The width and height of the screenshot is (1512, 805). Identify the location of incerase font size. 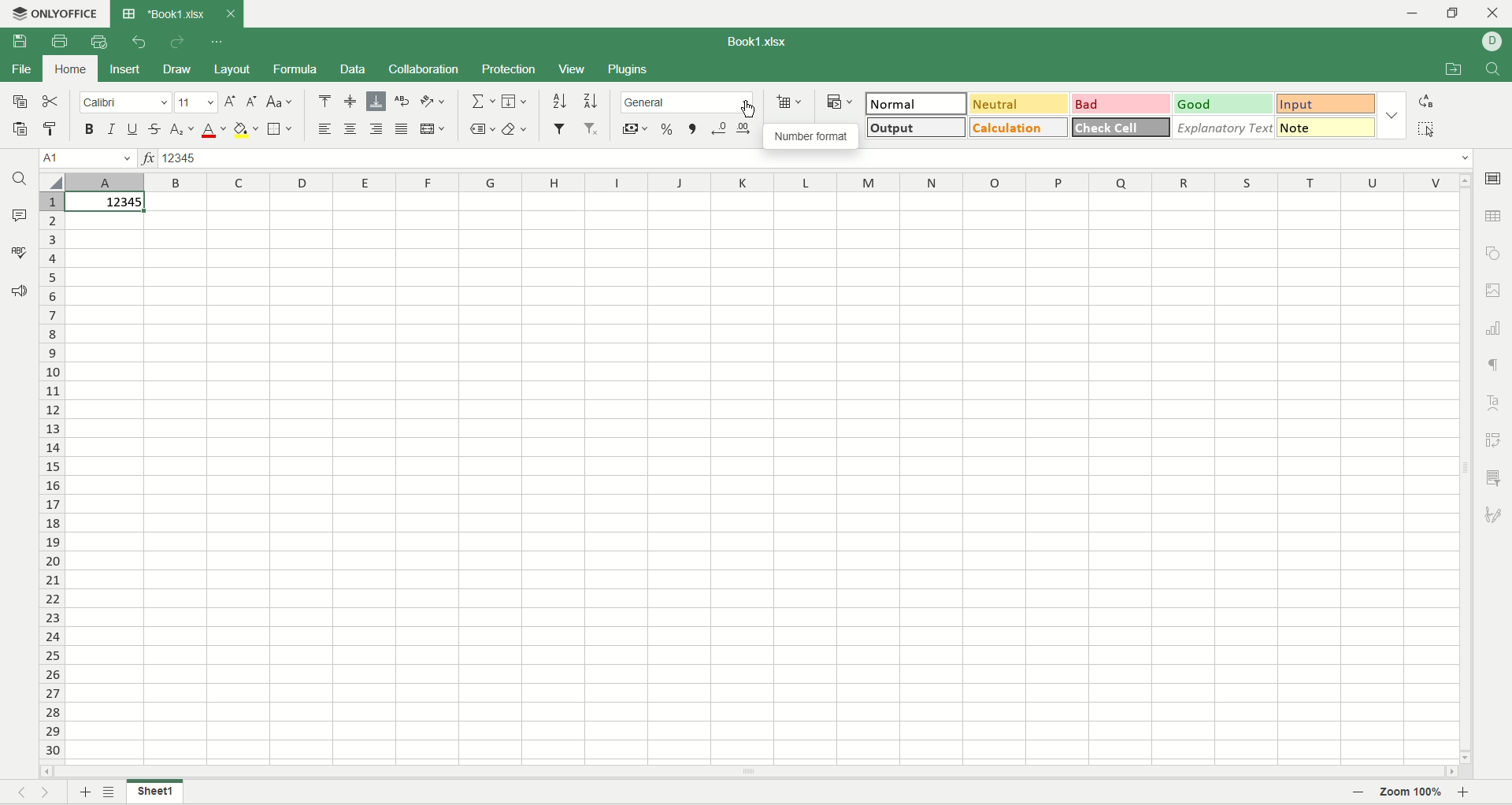
(229, 102).